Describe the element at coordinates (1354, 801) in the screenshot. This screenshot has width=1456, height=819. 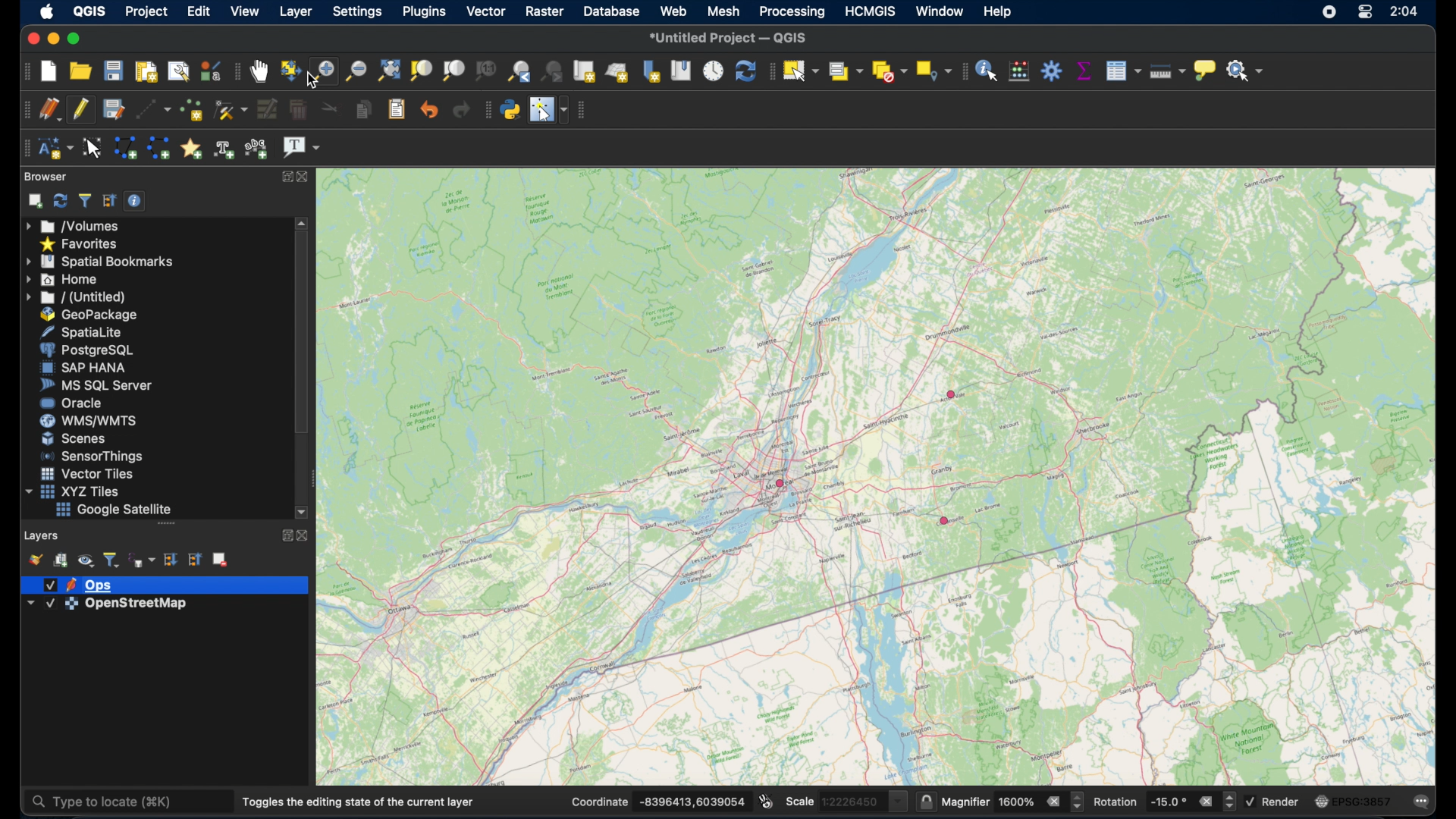
I see `current cos` at that location.